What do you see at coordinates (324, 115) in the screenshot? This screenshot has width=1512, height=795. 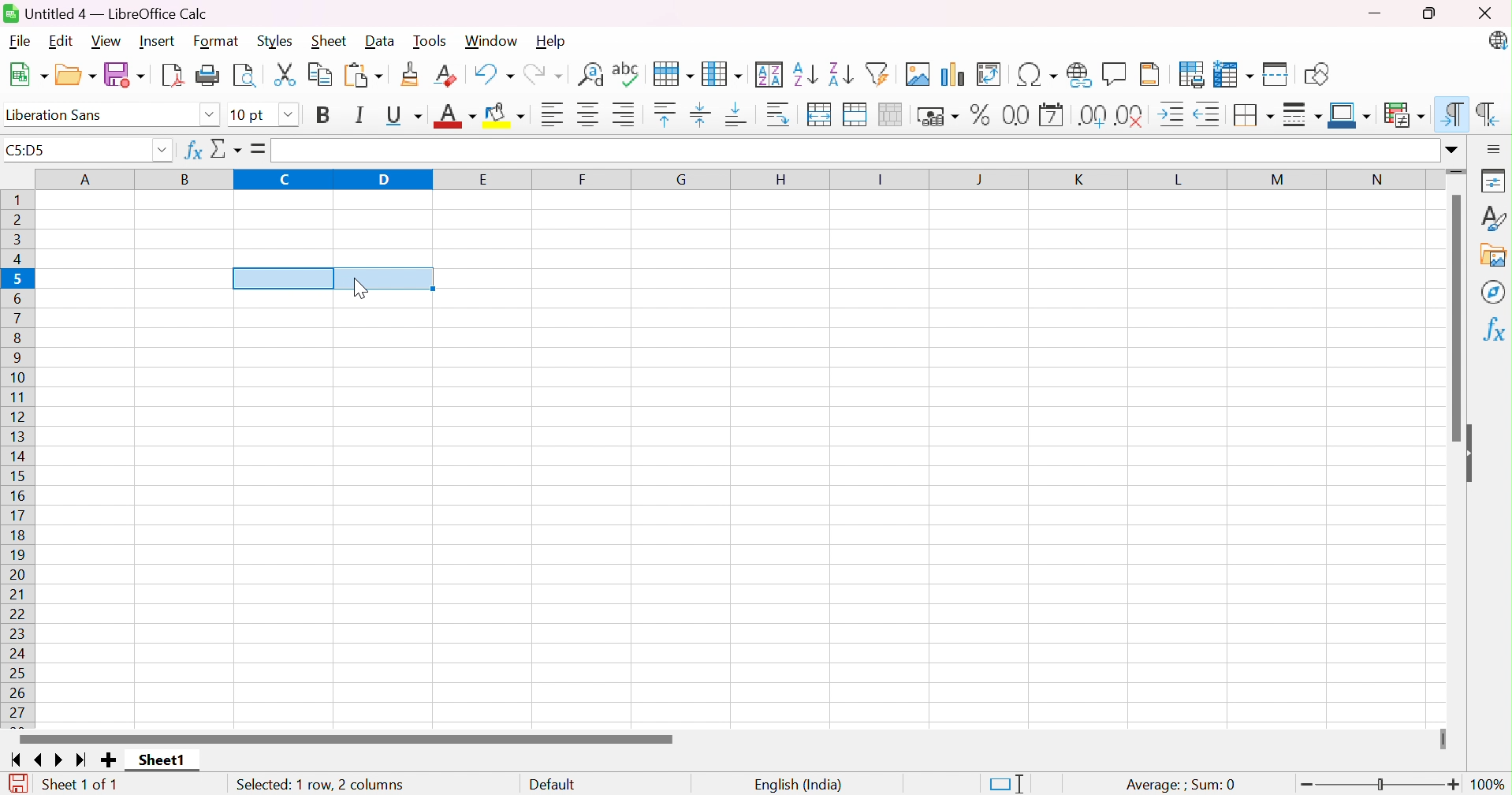 I see `Bold` at bounding box center [324, 115].